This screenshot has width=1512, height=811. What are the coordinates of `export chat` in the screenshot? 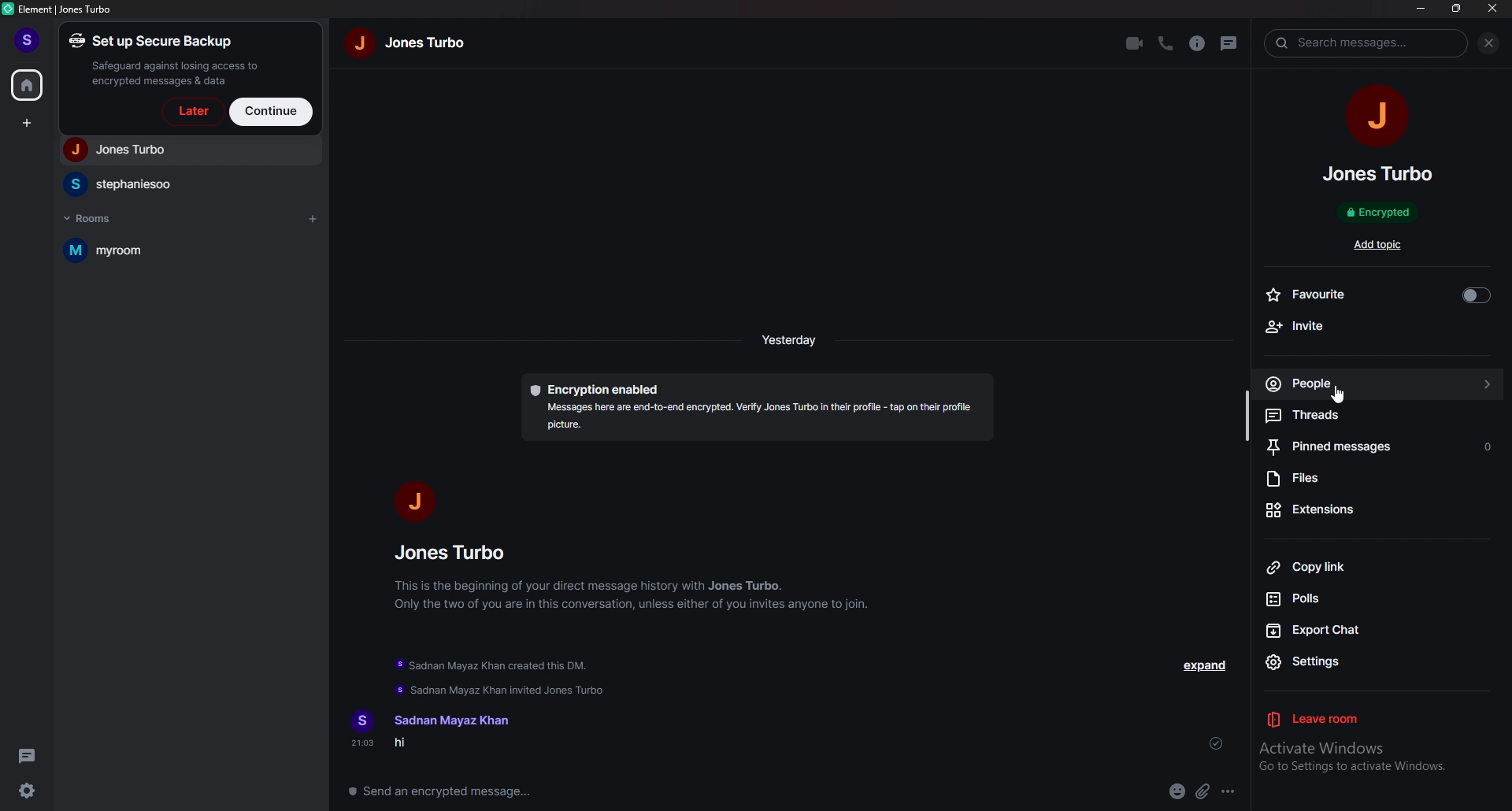 It's located at (1375, 631).